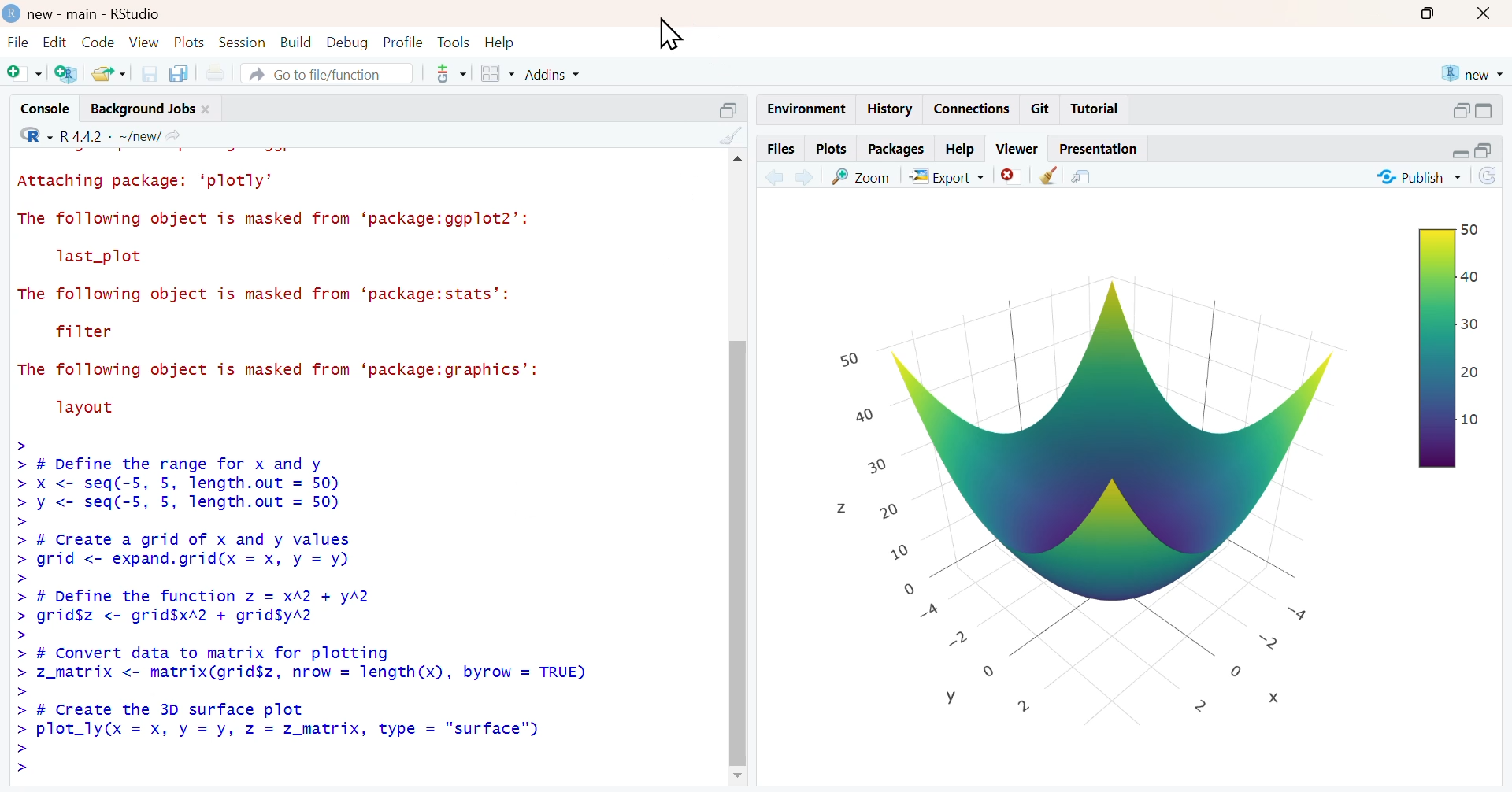 The image size is (1512, 792). Describe the element at coordinates (401, 41) in the screenshot. I see `profile` at that location.